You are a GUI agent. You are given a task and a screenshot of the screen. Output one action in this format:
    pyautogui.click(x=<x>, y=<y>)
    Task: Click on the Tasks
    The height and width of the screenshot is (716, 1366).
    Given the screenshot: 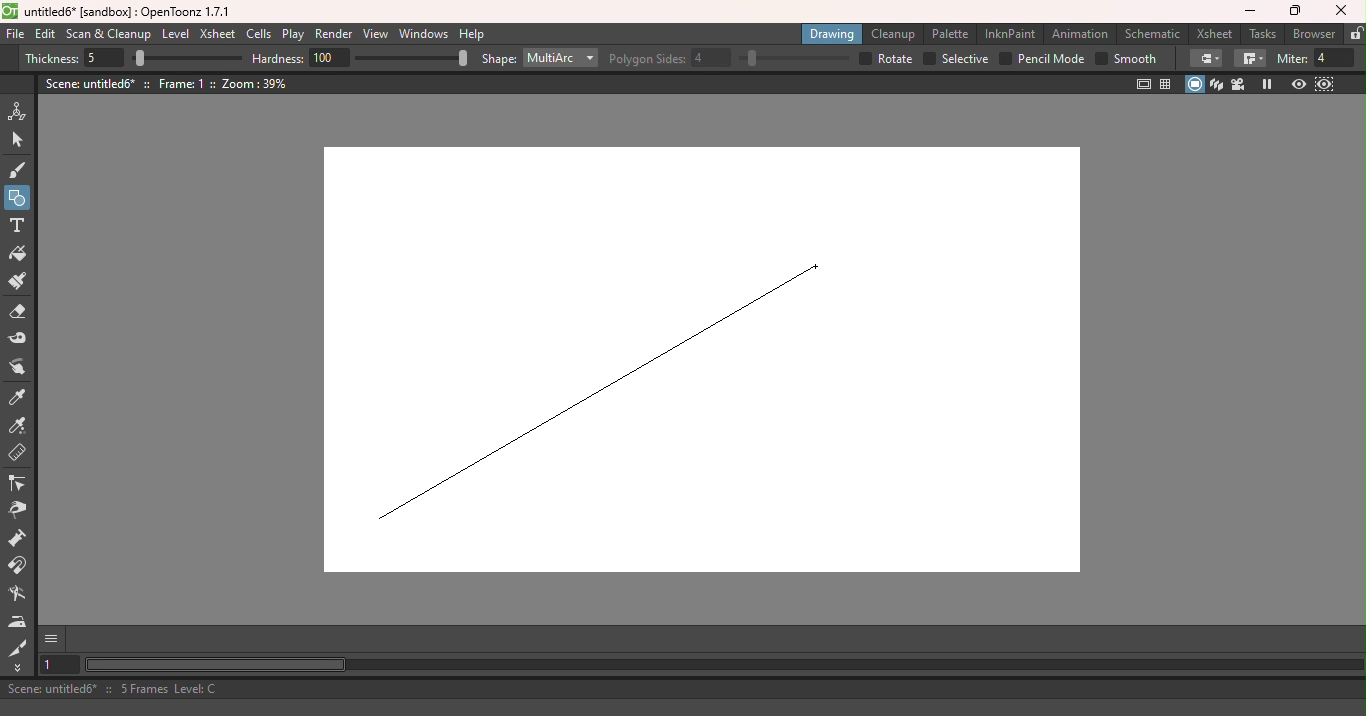 What is the action you would take?
    pyautogui.click(x=1260, y=33)
    